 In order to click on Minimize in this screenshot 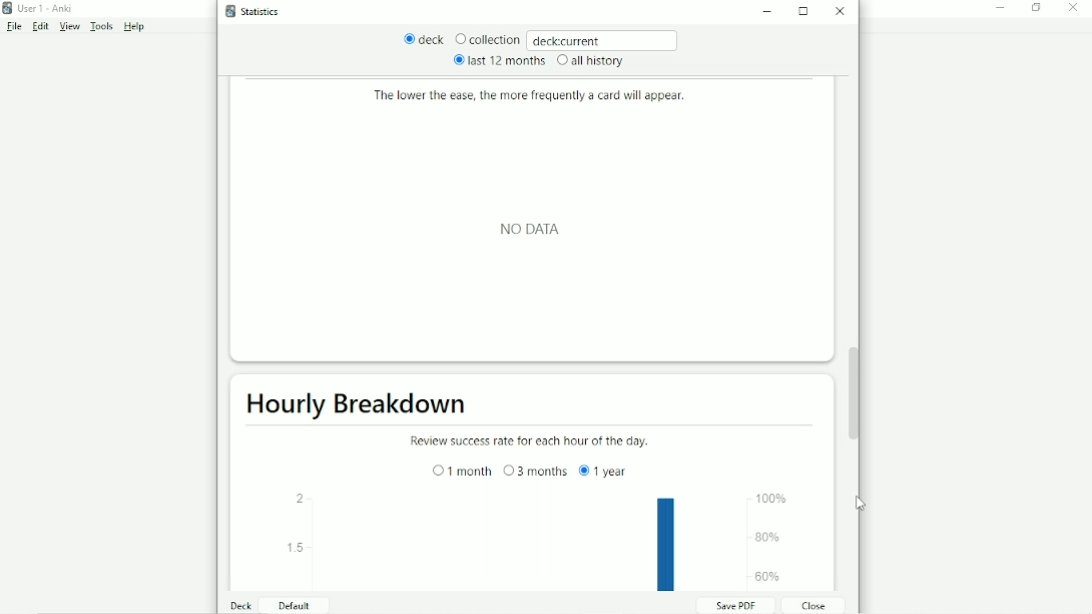, I will do `click(771, 13)`.